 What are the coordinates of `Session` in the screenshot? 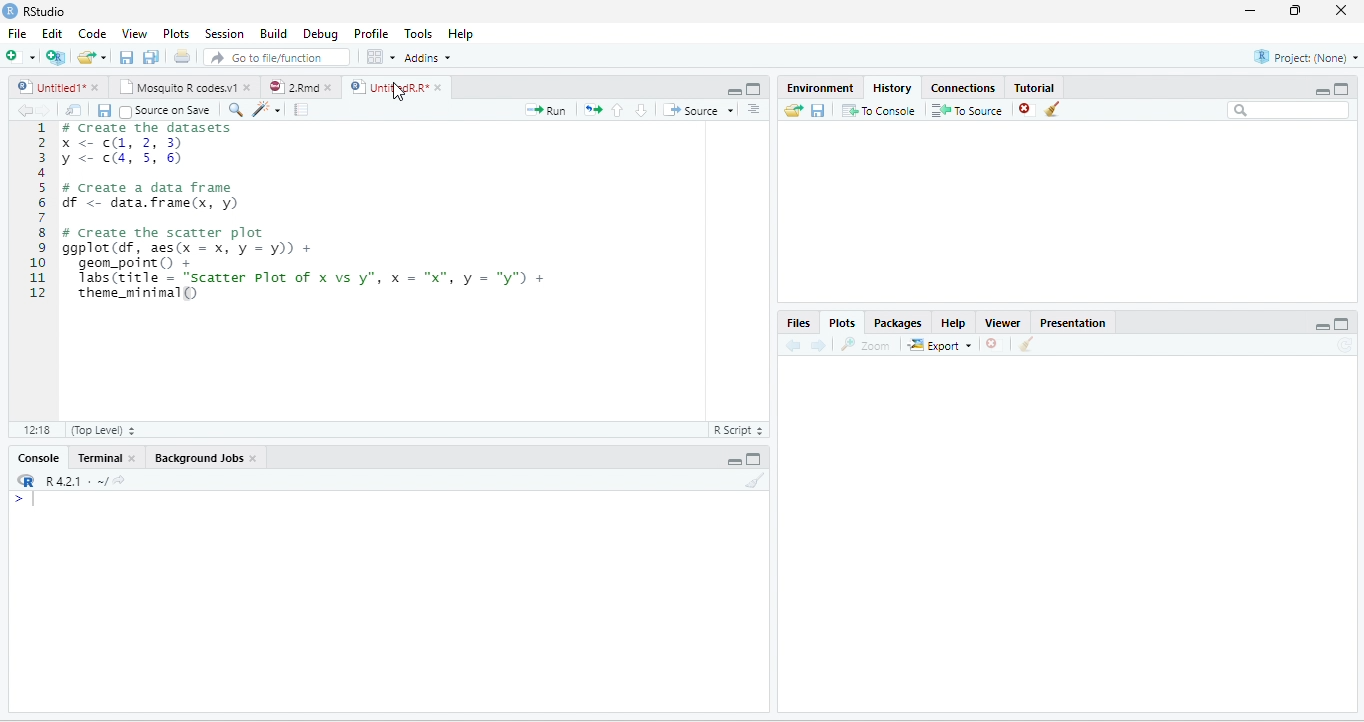 It's located at (225, 33).